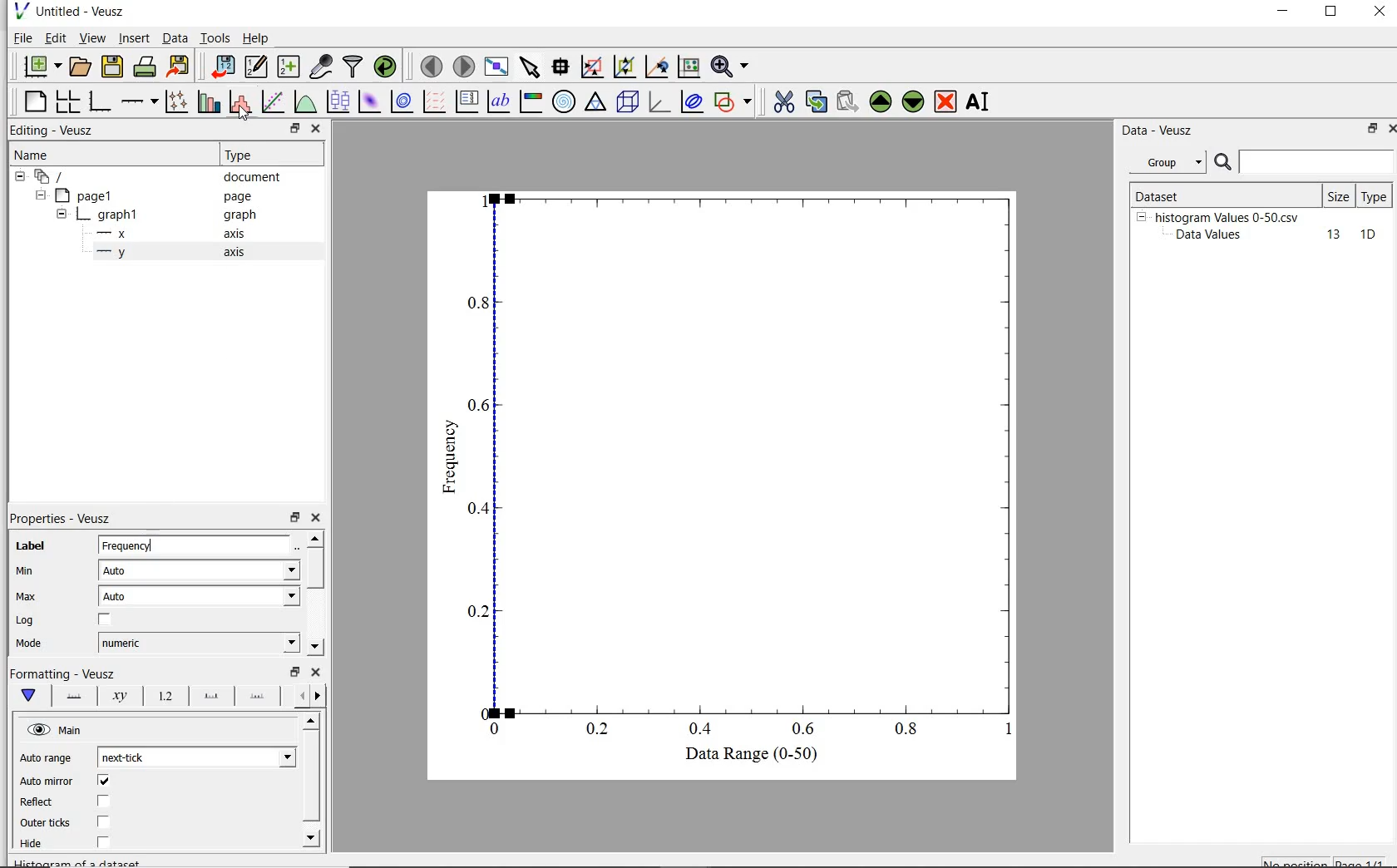 The image size is (1397, 868). What do you see at coordinates (27, 596) in the screenshot?
I see `Max` at bounding box center [27, 596].